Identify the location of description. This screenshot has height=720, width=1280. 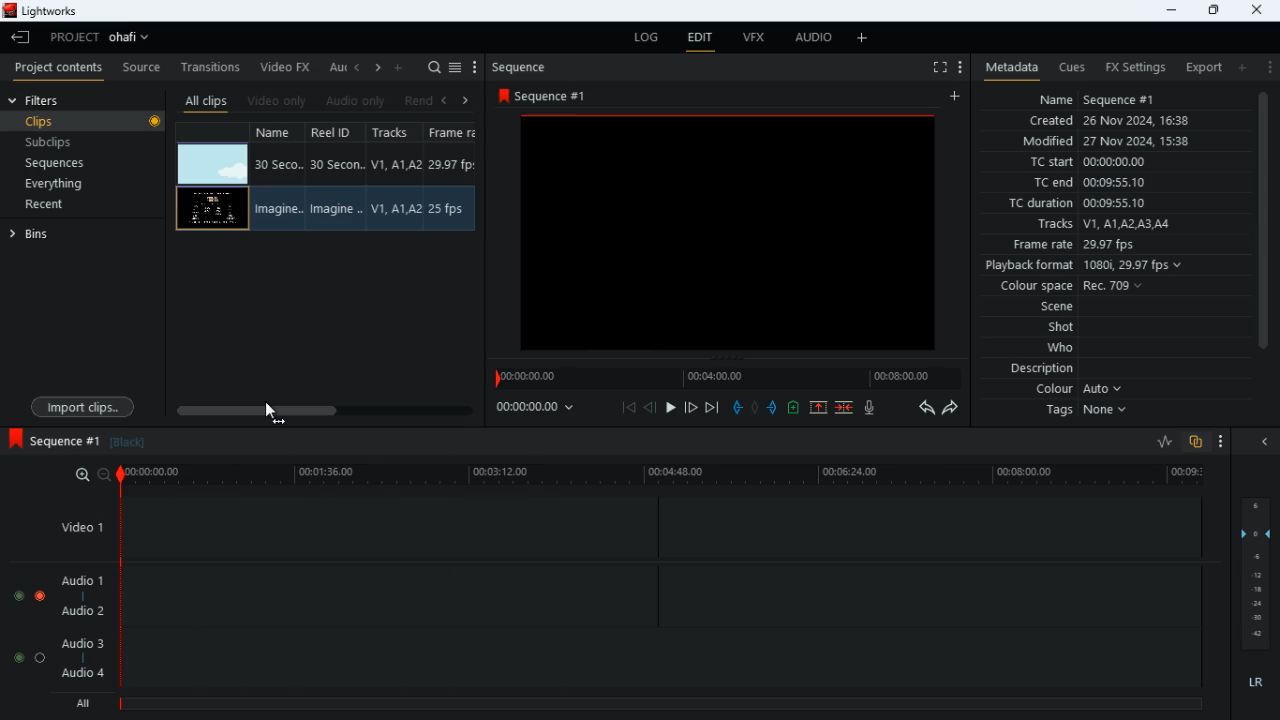
(1034, 370).